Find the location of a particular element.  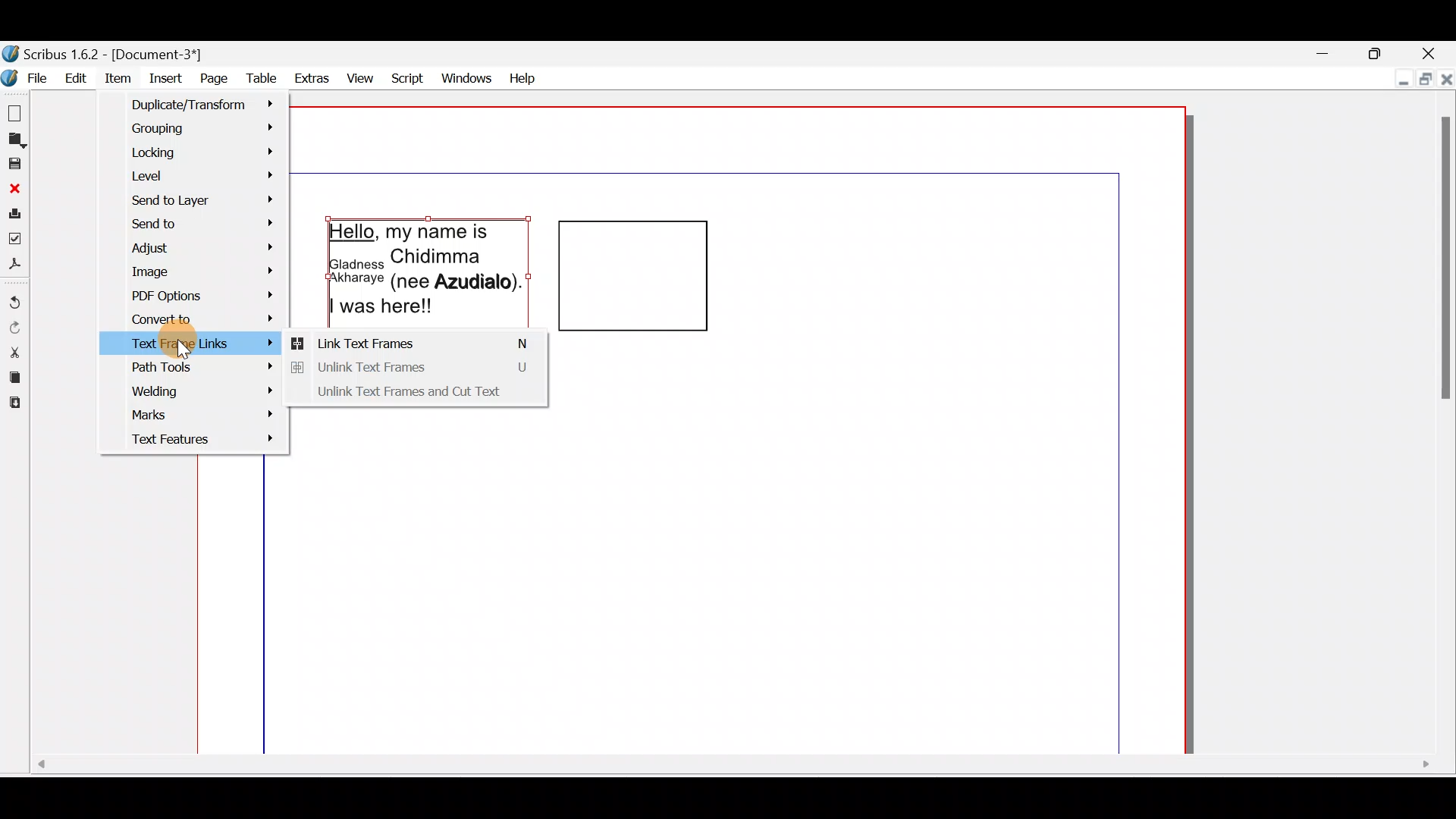

Close is located at coordinates (14, 188).